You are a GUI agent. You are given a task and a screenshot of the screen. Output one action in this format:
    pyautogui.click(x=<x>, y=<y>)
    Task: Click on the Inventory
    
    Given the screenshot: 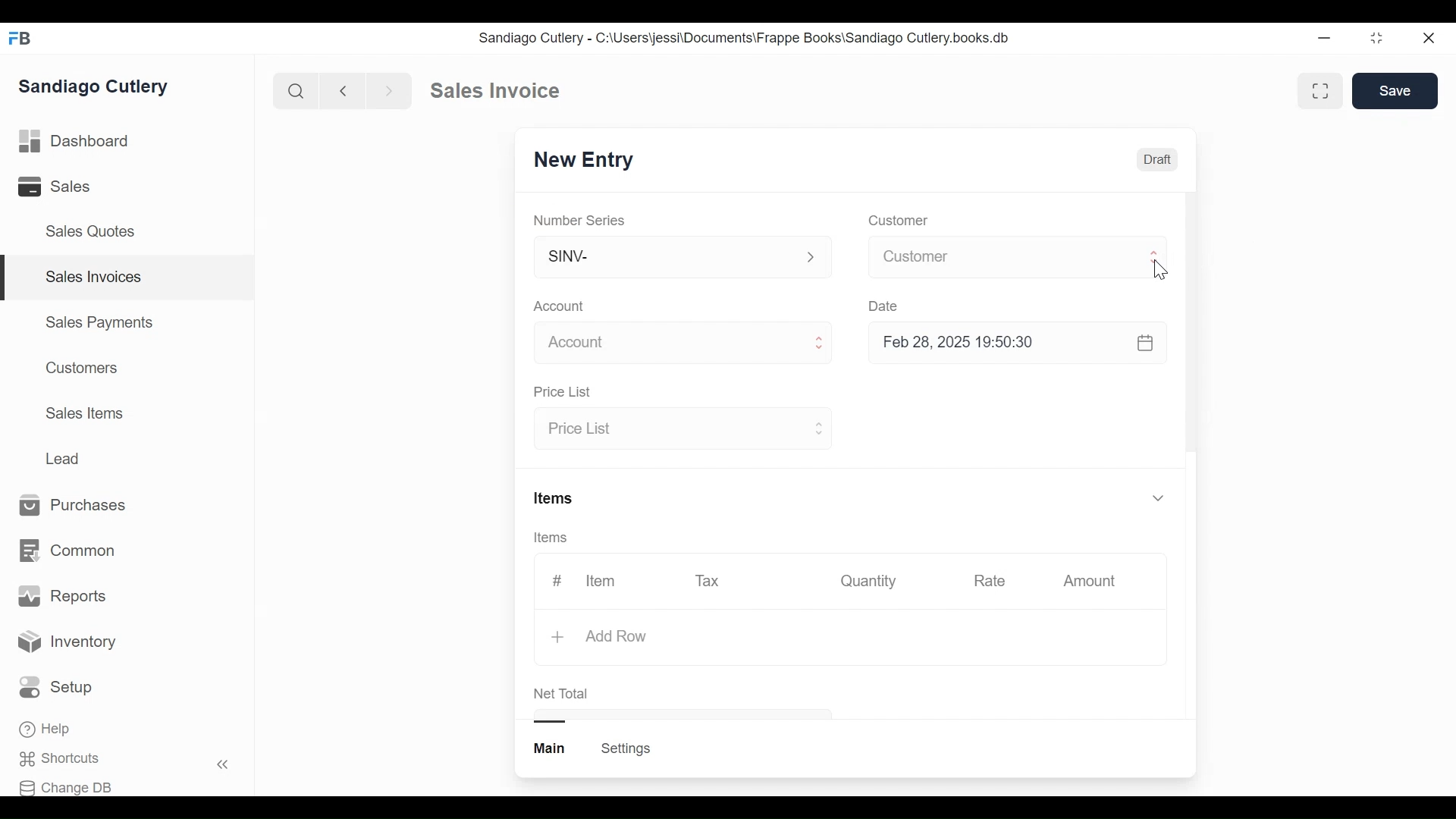 What is the action you would take?
    pyautogui.click(x=67, y=644)
    